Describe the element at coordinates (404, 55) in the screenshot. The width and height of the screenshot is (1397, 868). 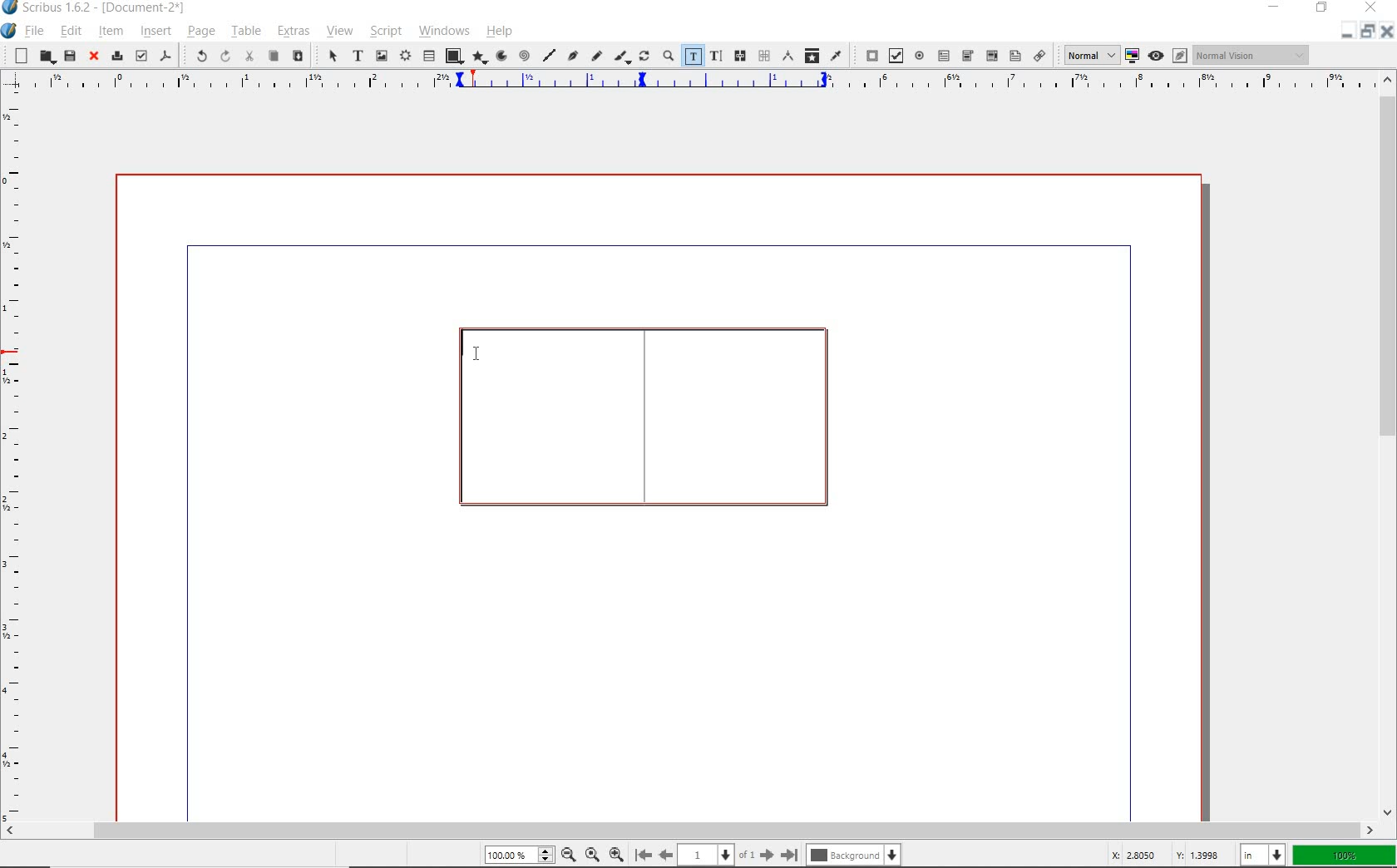
I see `render frame` at that location.